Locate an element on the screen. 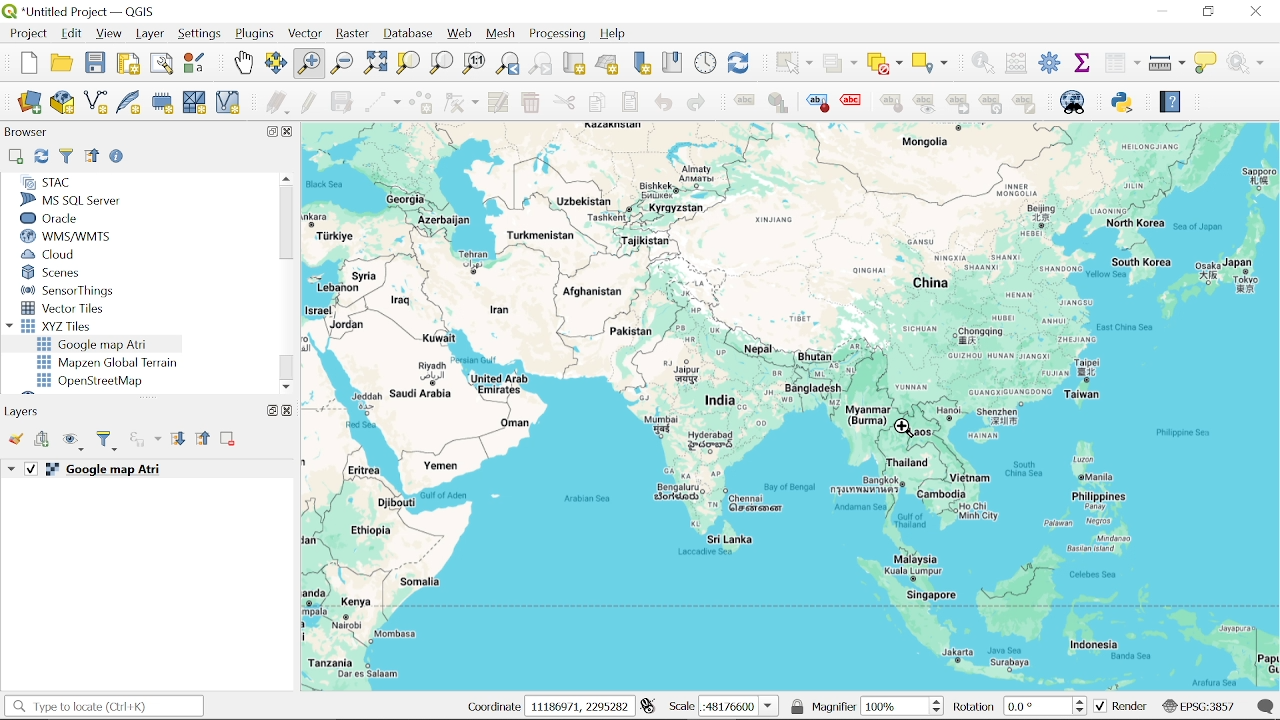  Scenes is located at coordinates (69, 273).